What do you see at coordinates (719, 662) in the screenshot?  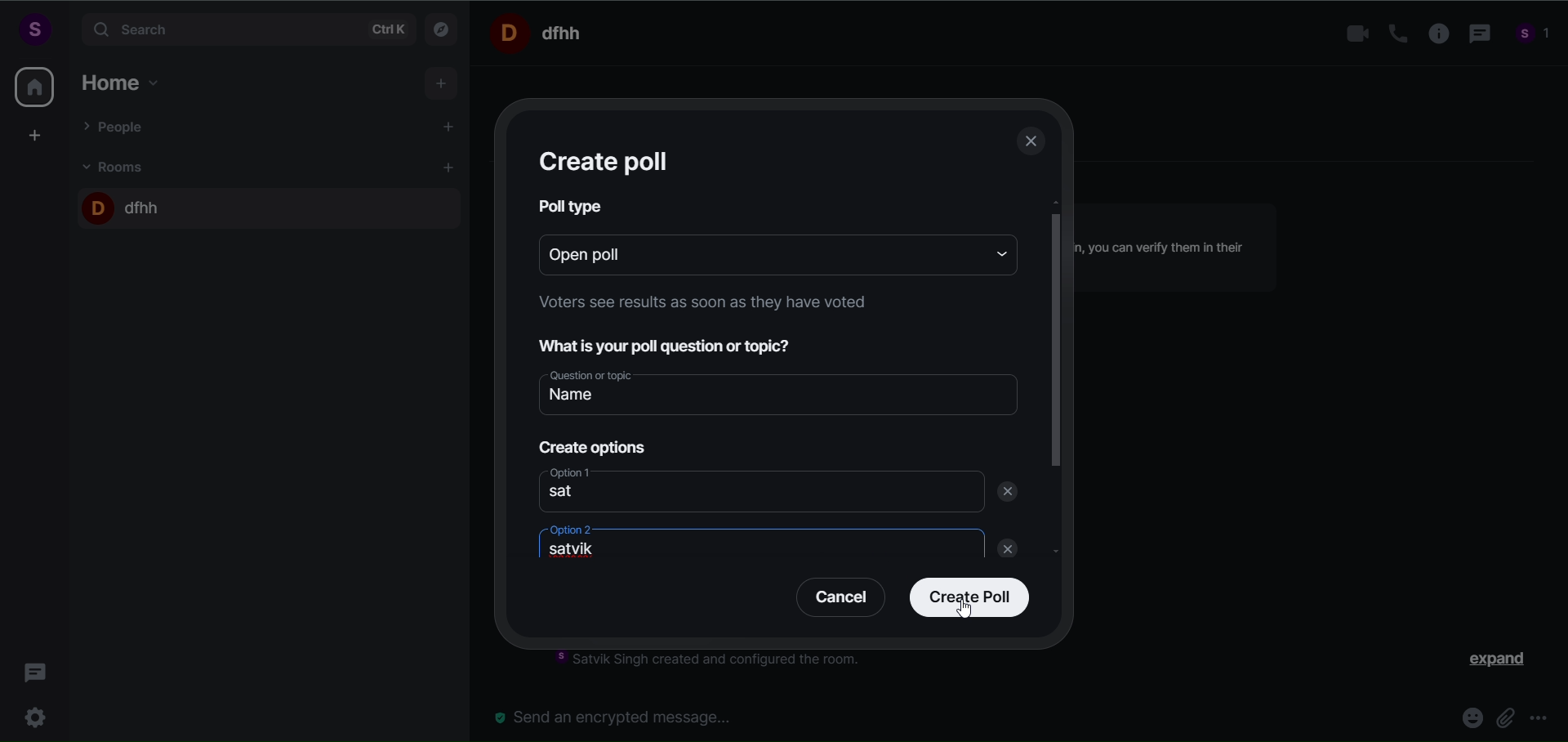 I see `instruction` at bounding box center [719, 662].